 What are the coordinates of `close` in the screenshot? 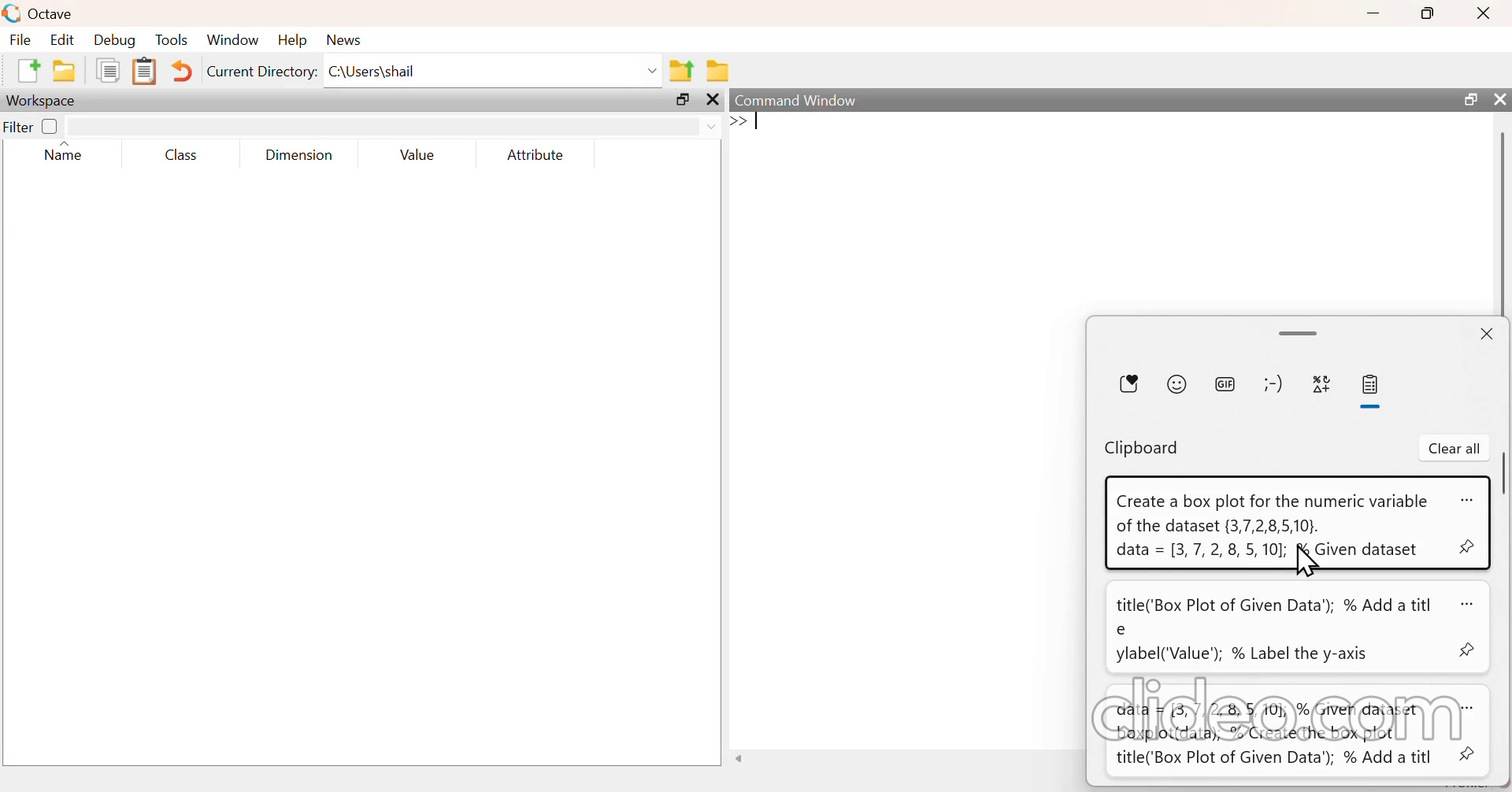 It's located at (712, 99).